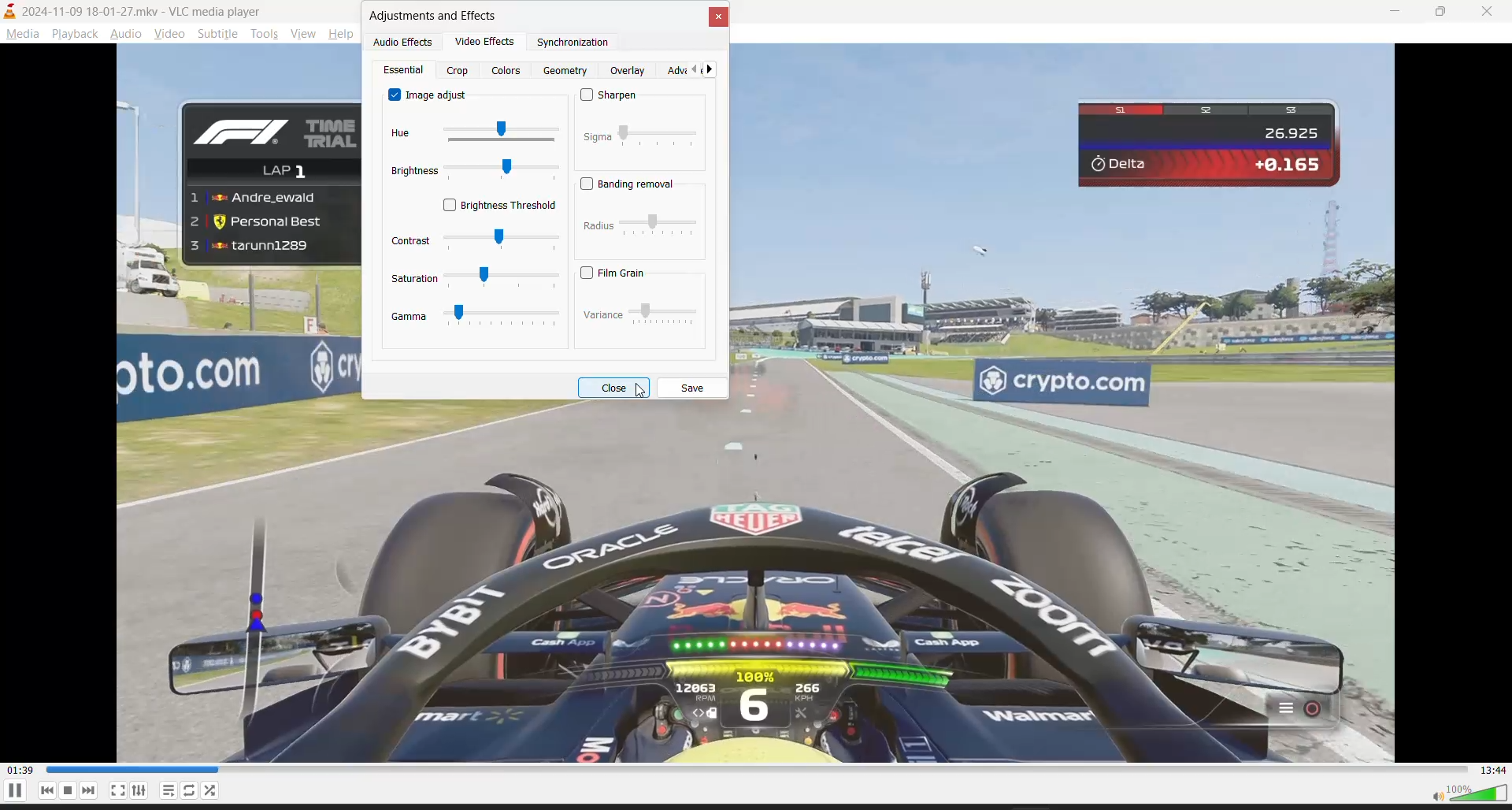 The image size is (1512, 810). What do you see at coordinates (506, 72) in the screenshot?
I see `colors` at bounding box center [506, 72].